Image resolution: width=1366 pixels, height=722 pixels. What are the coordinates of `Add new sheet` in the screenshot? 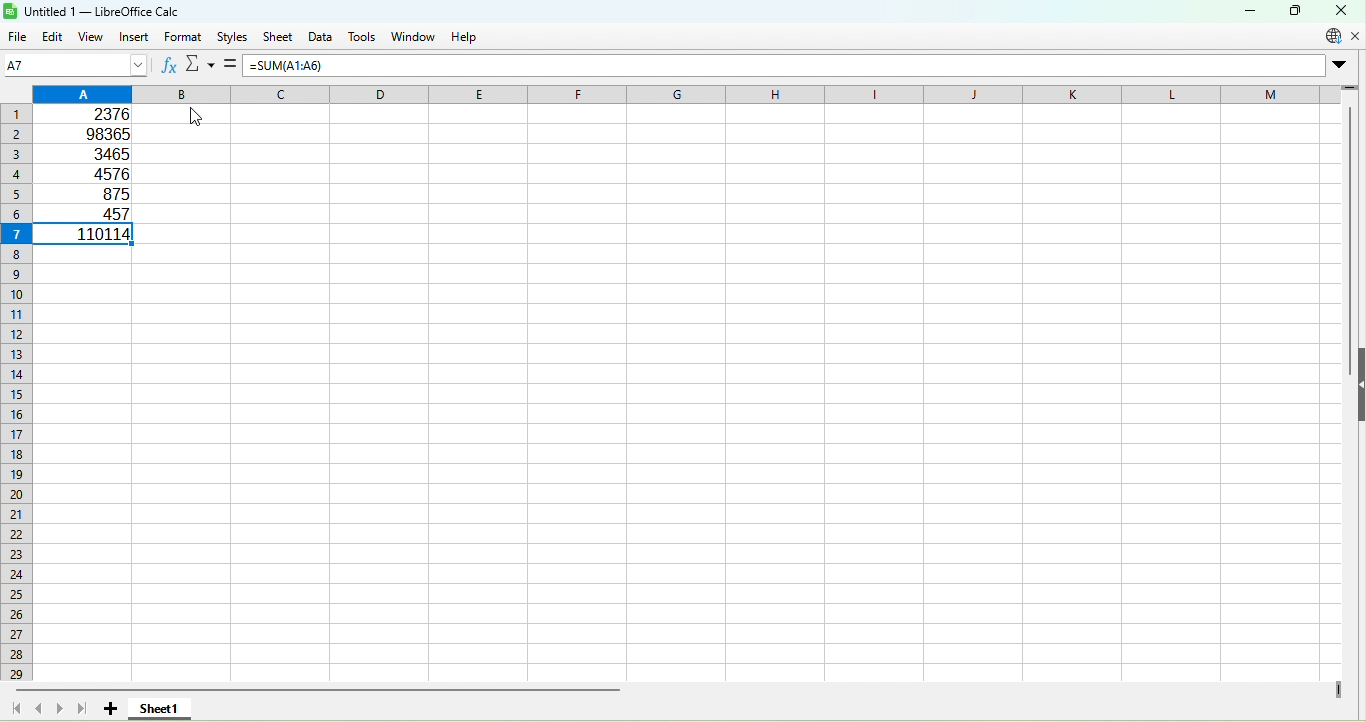 It's located at (111, 711).